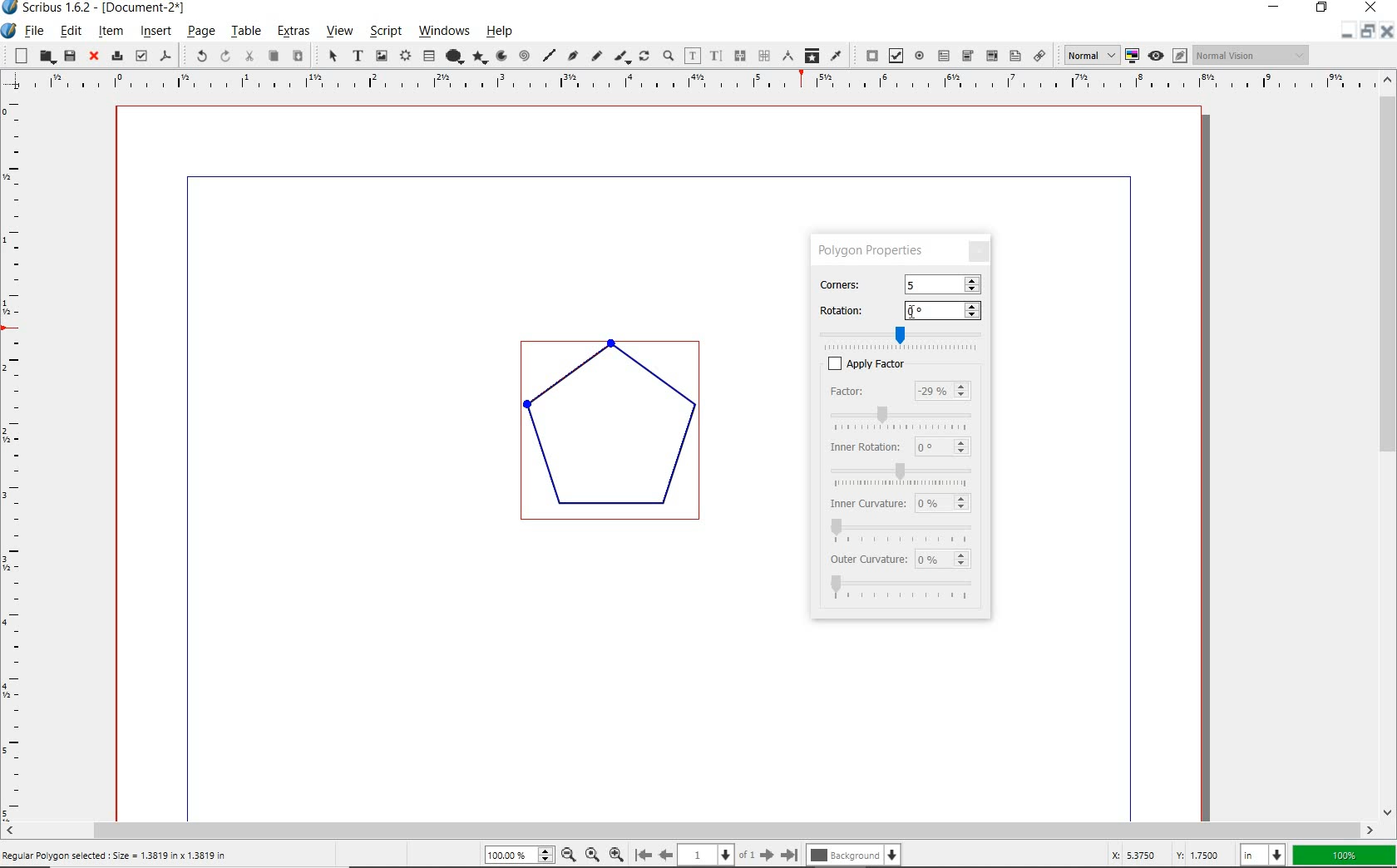 This screenshot has height=868, width=1397. I want to click on render frame, so click(405, 54).